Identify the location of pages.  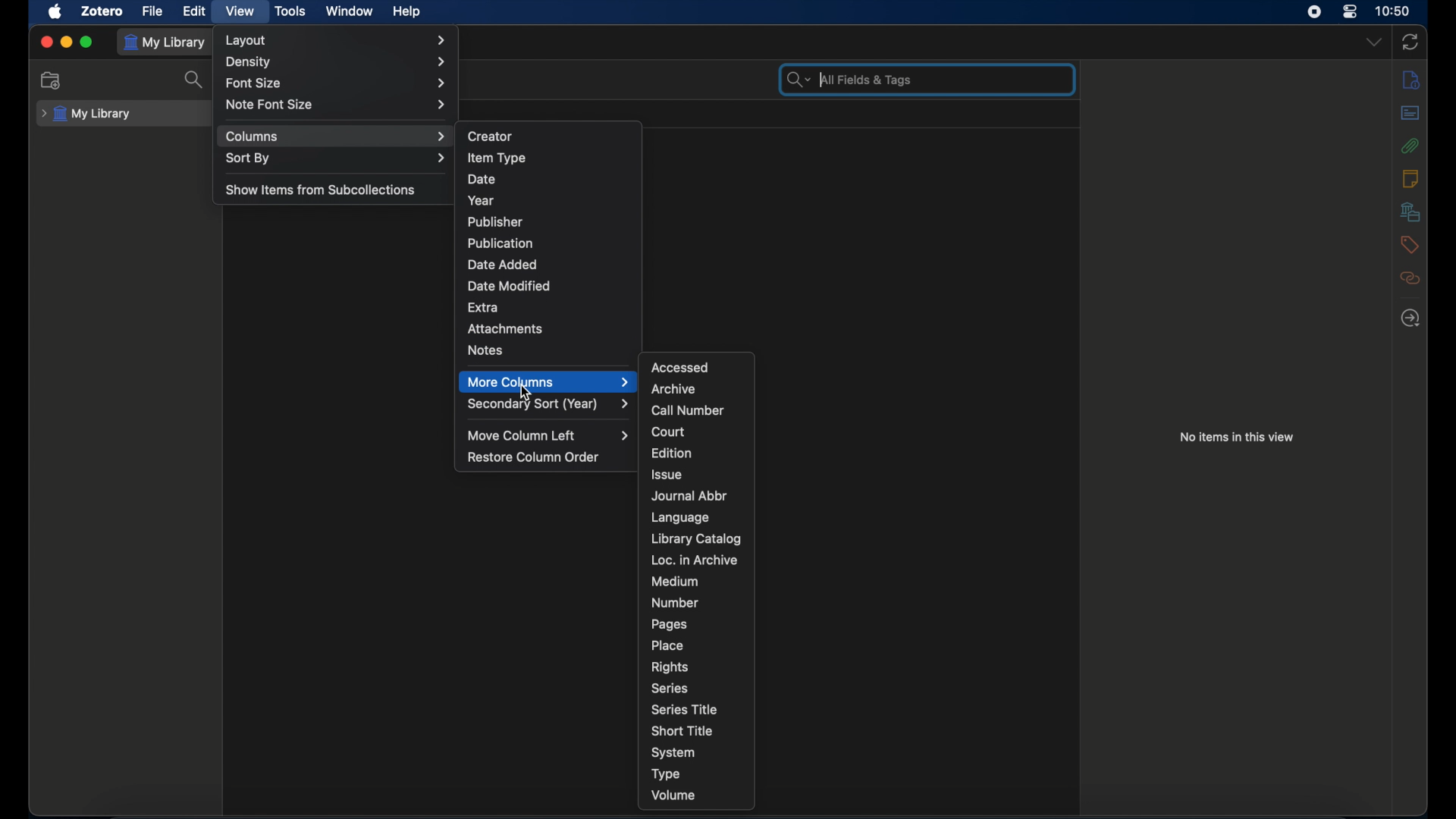
(669, 624).